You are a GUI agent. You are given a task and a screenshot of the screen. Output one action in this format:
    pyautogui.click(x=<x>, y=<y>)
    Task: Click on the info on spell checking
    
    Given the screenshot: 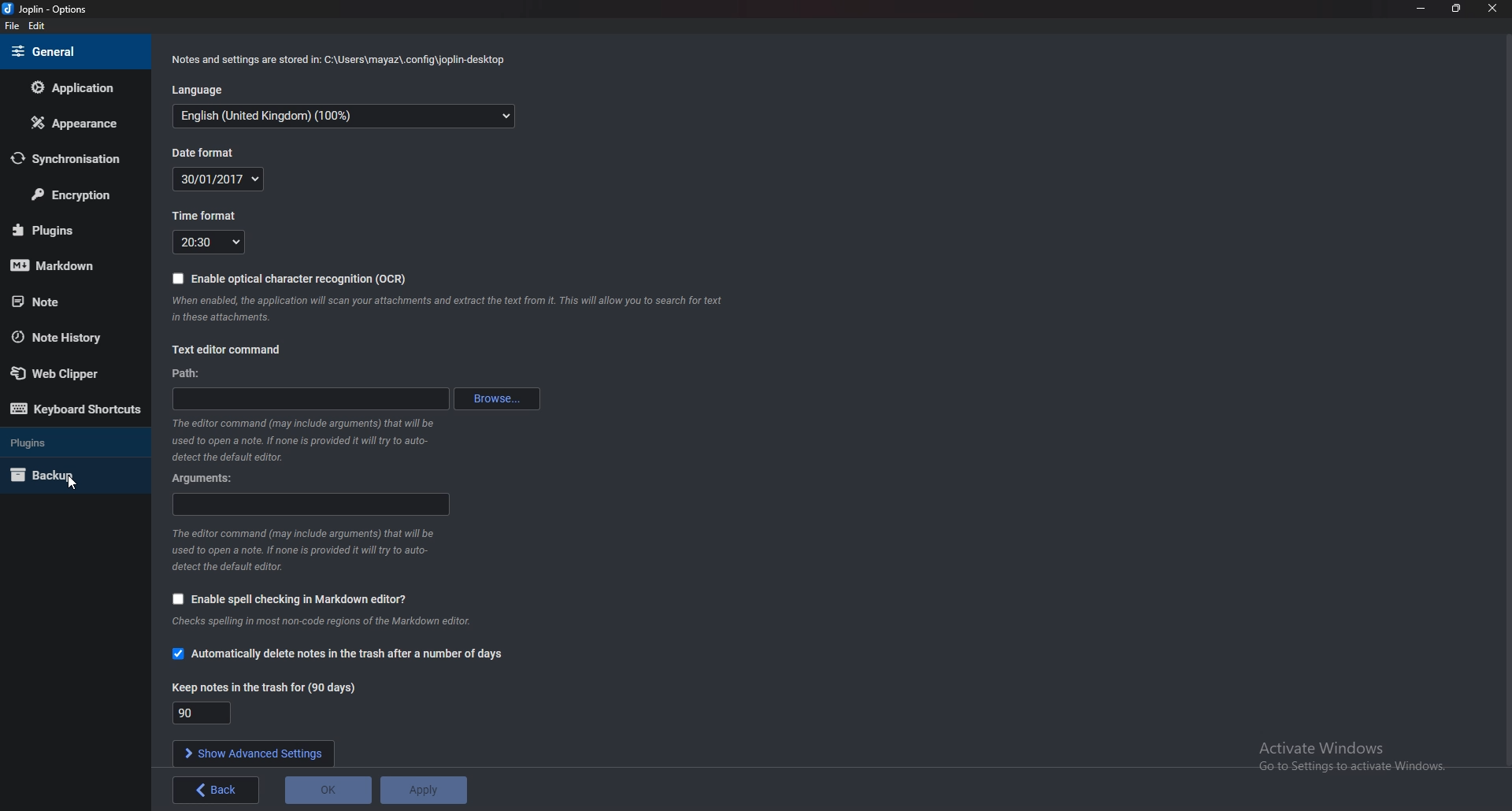 What is the action you would take?
    pyautogui.click(x=346, y=620)
    